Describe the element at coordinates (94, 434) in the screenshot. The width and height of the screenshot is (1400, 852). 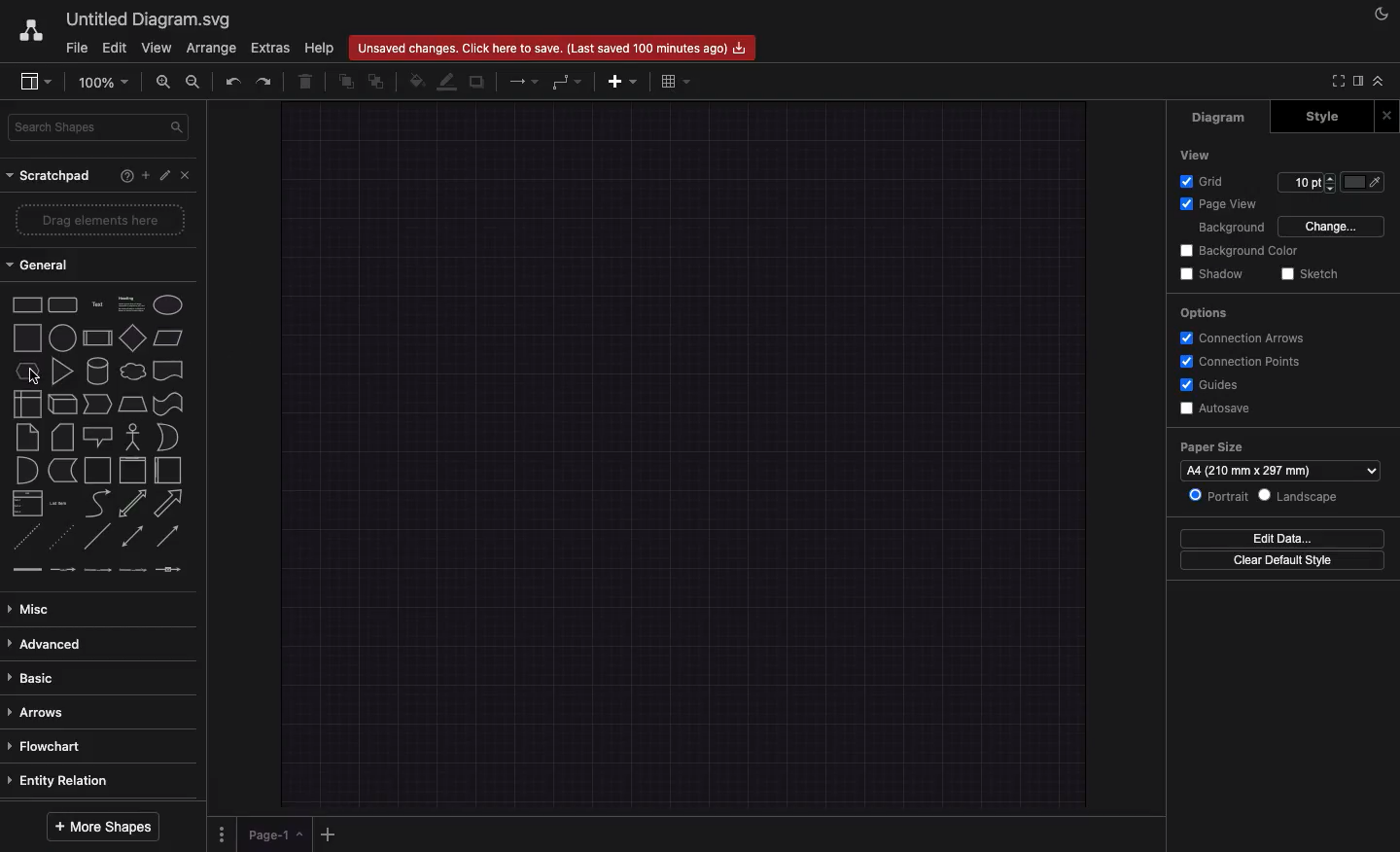
I see `Shapes` at that location.